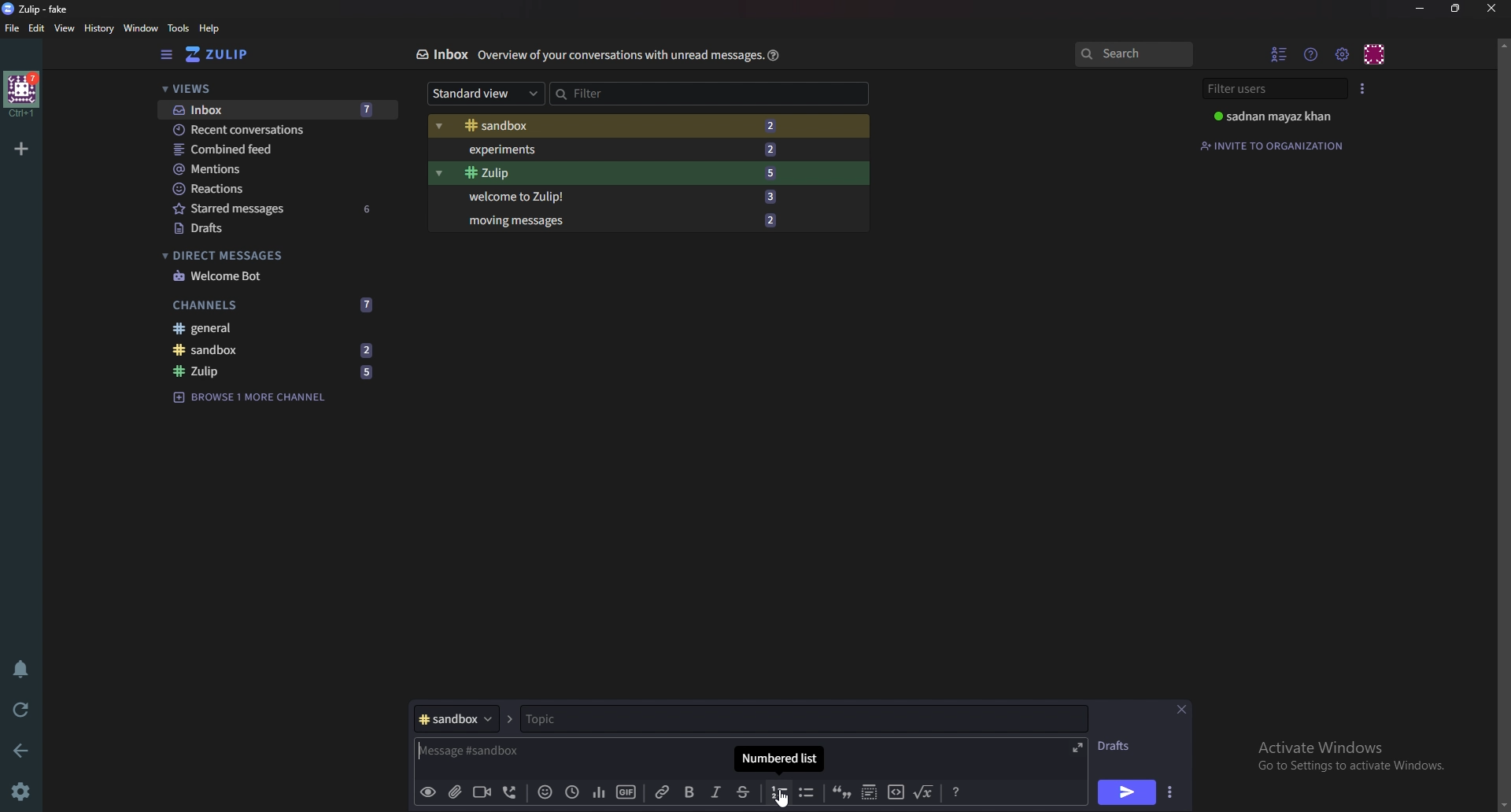 This screenshot has width=1511, height=812. Describe the element at coordinates (1456, 9) in the screenshot. I see `Resize` at that location.